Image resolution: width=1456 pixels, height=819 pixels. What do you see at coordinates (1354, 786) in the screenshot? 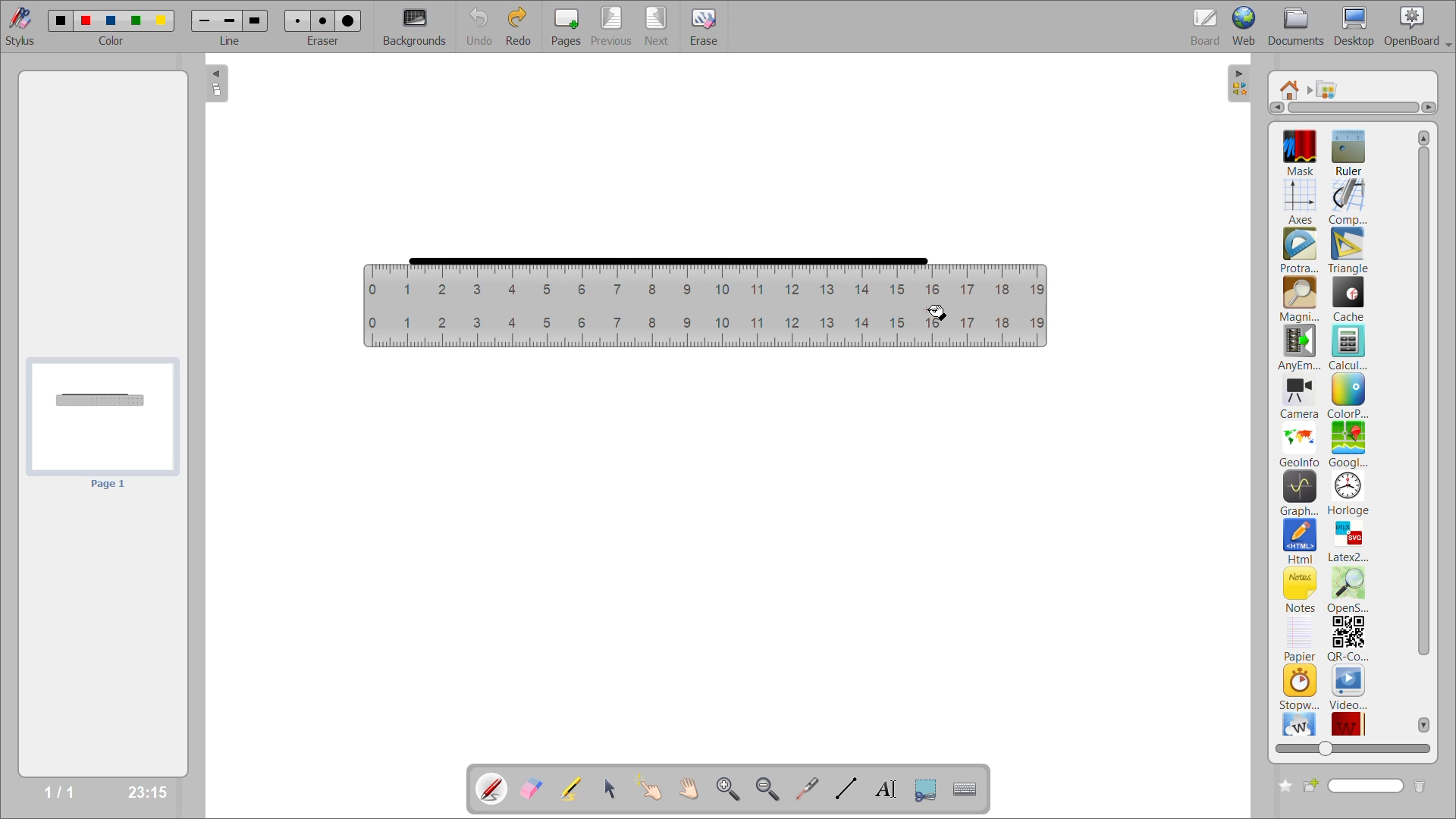
I see `name box` at bounding box center [1354, 786].